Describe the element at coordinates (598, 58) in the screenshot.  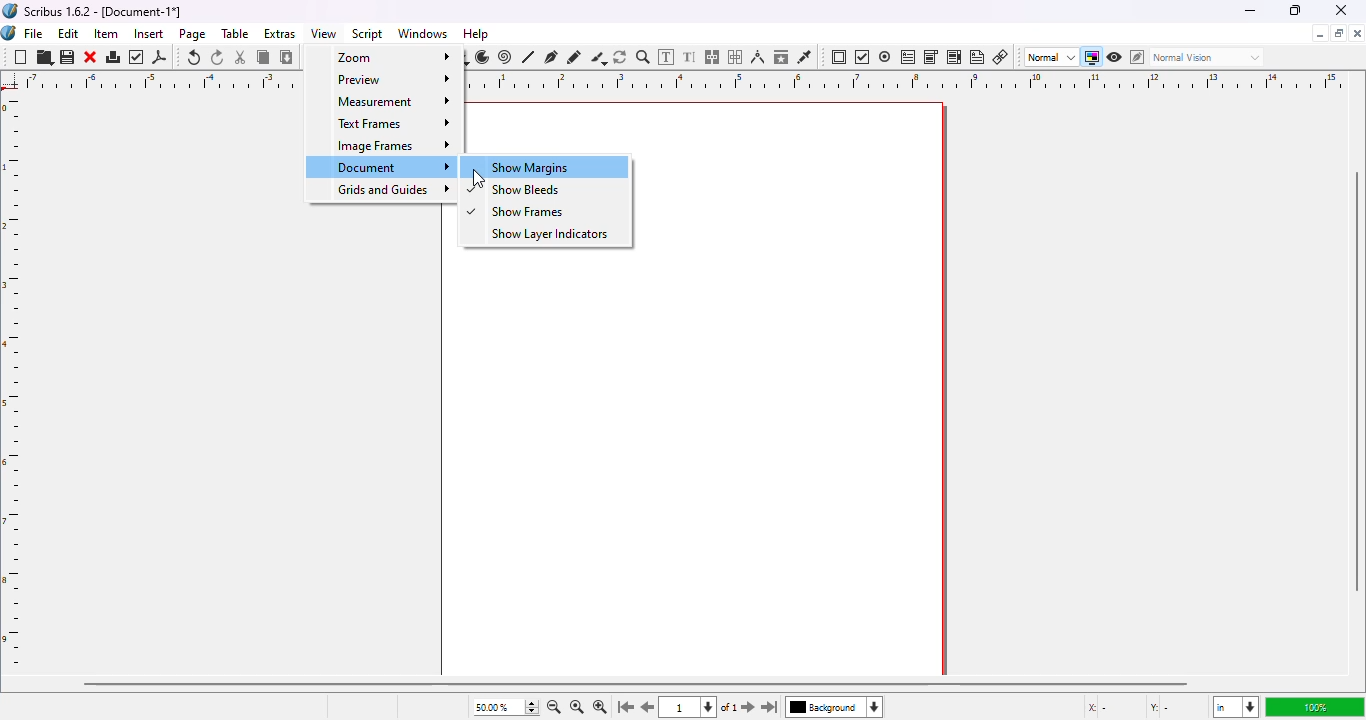
I see `calligraphic line` at that location.